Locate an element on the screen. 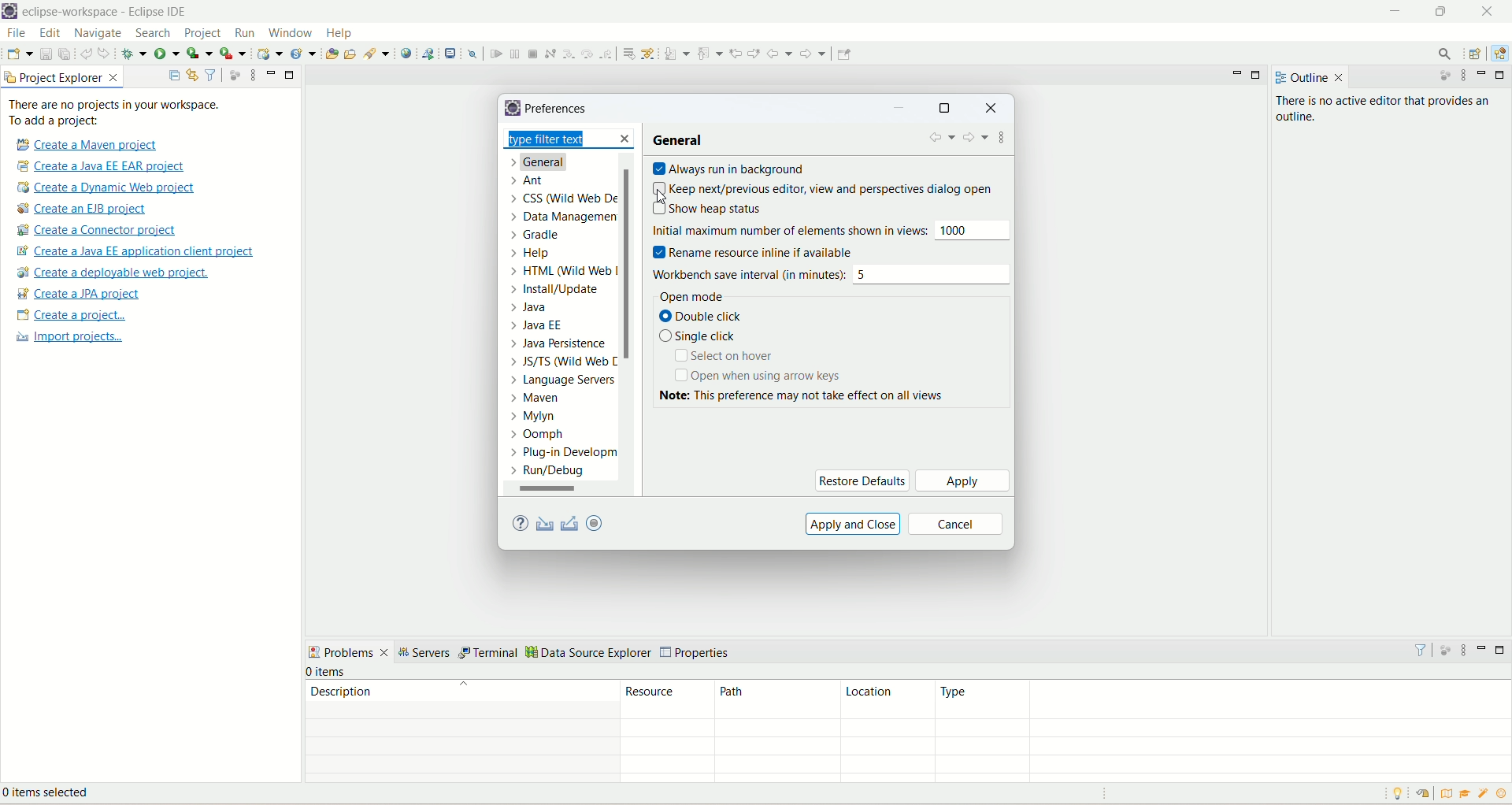 The image size is (1512, 805). undo is located at coordinates (86, 52).